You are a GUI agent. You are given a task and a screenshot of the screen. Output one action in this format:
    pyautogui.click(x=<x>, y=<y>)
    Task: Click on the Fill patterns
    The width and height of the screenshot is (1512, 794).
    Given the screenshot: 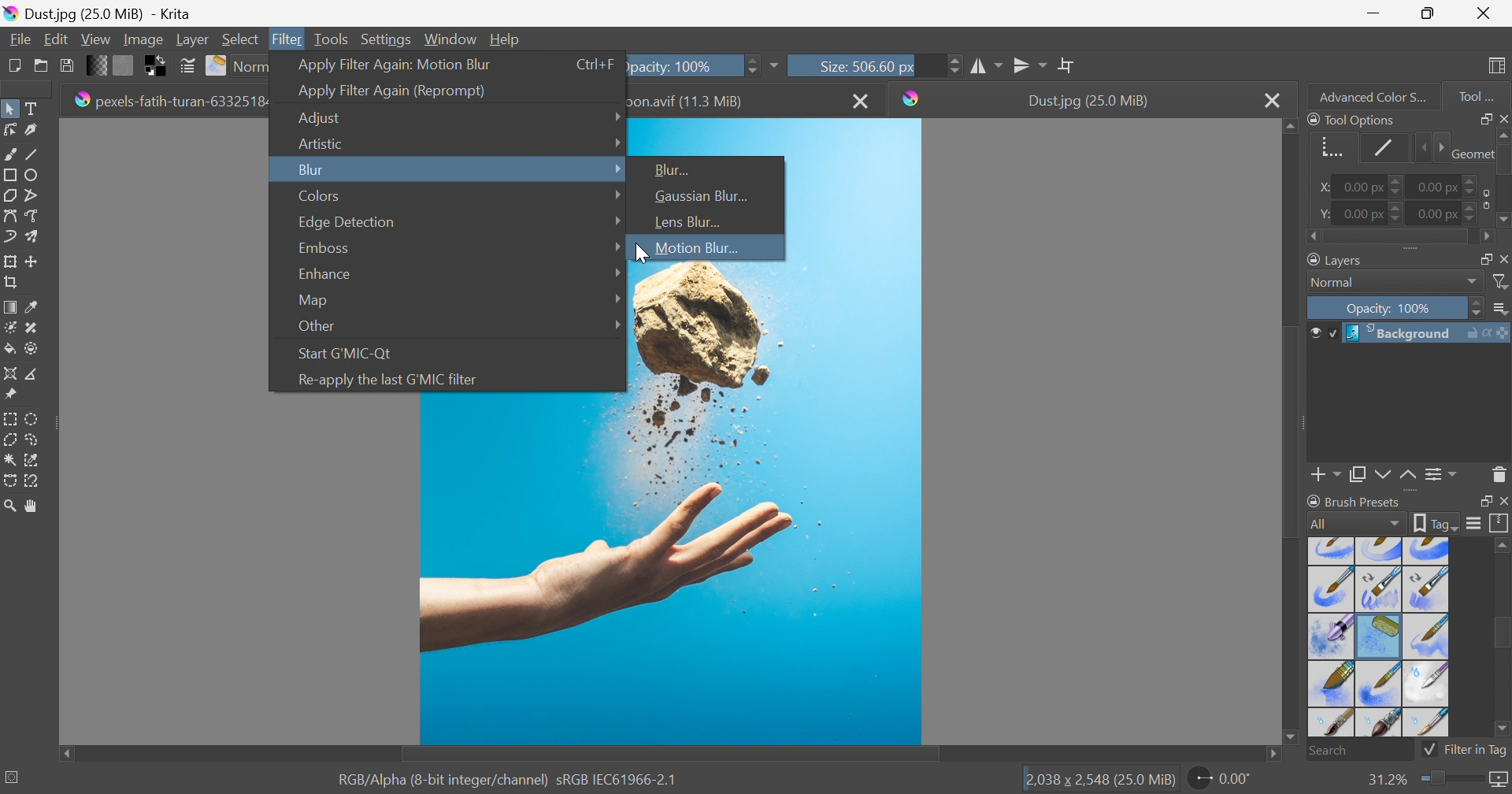 What is the action you would take?
    pyautogui.click(x=124, y=64)
    